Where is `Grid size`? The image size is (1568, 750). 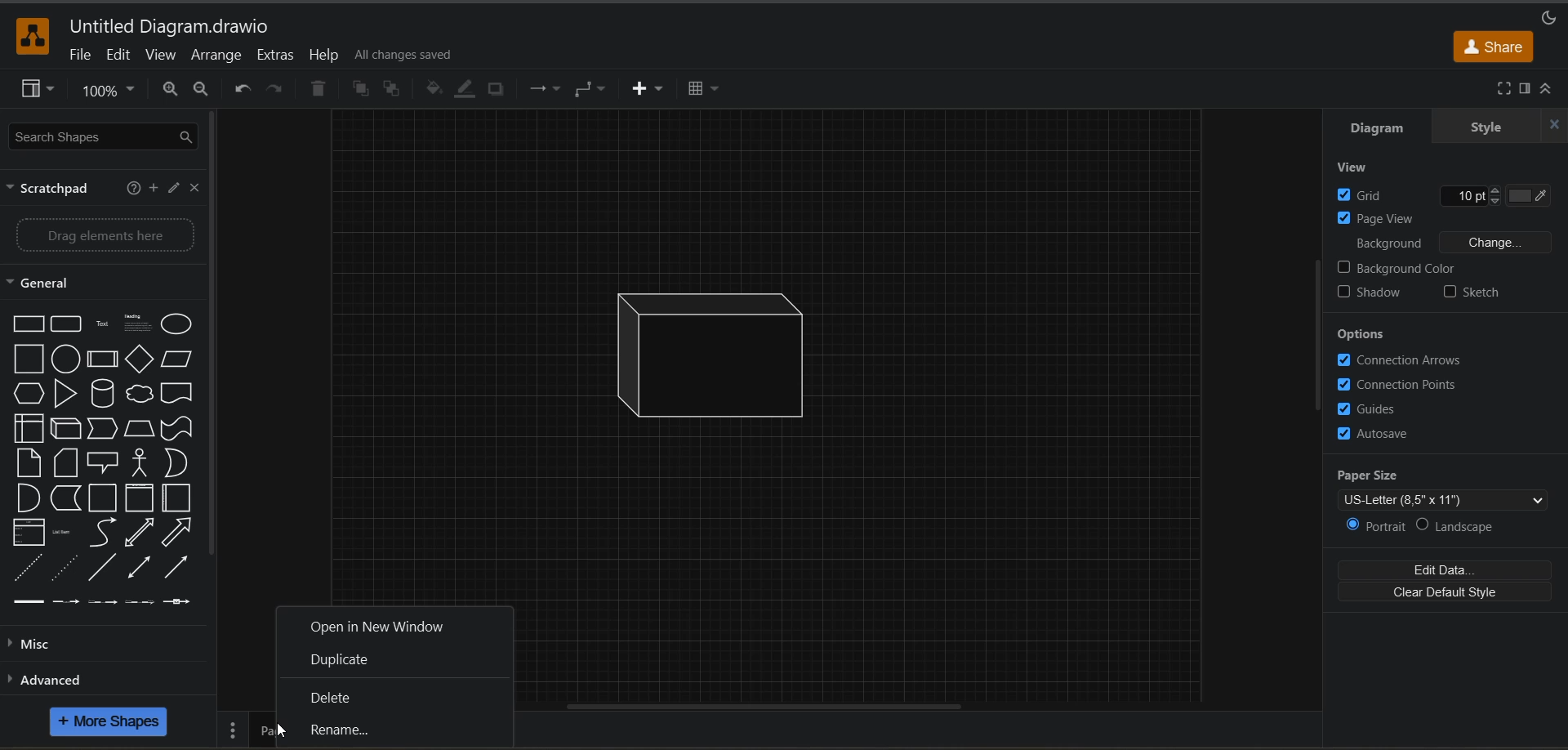 Grid size is located at coordinates (1450, 194).